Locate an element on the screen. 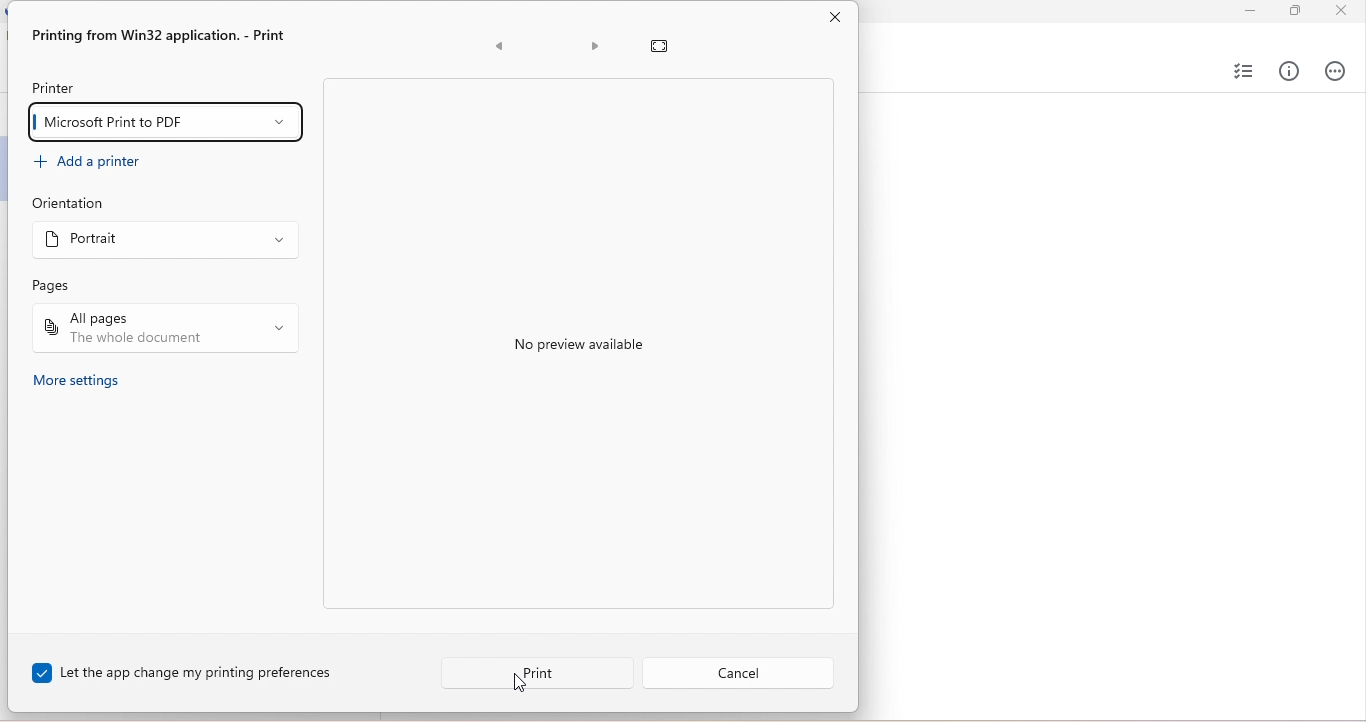  info is located at coordinates (1290, 71).